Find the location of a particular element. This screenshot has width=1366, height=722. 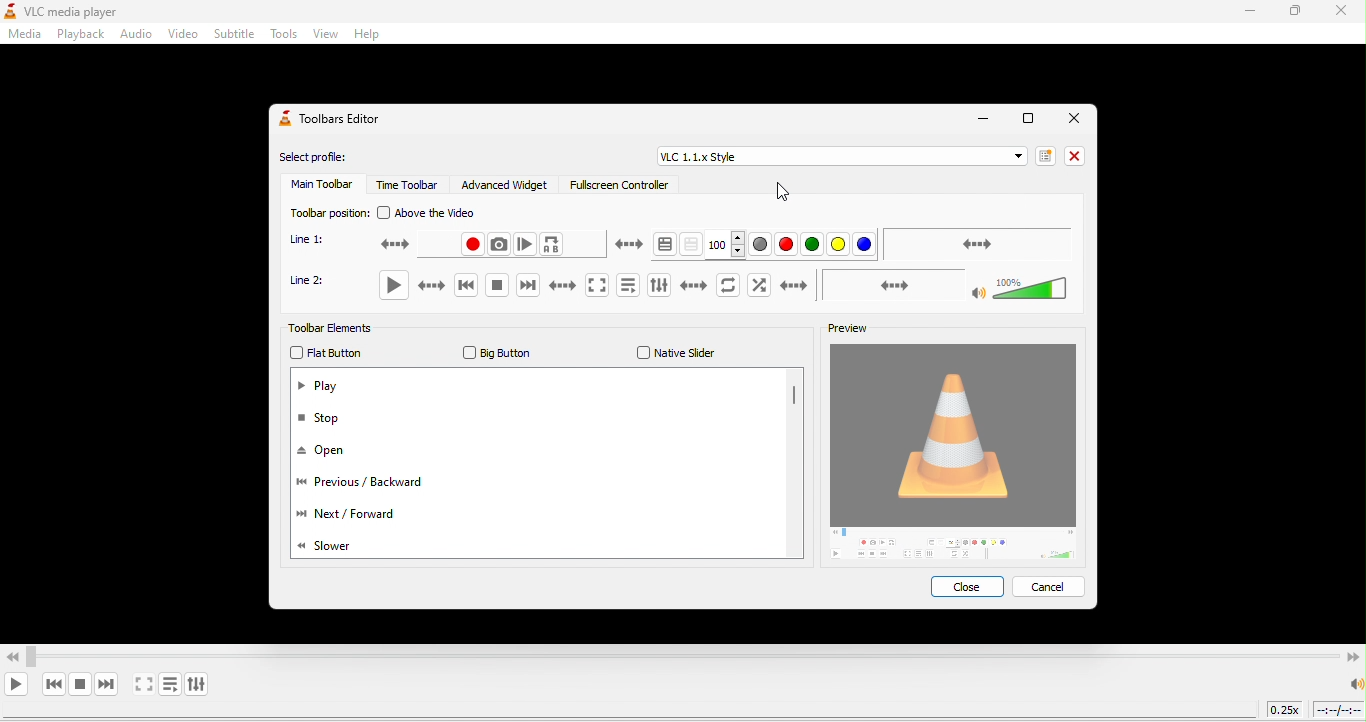

subtitle is located at coordinates (234, 35).